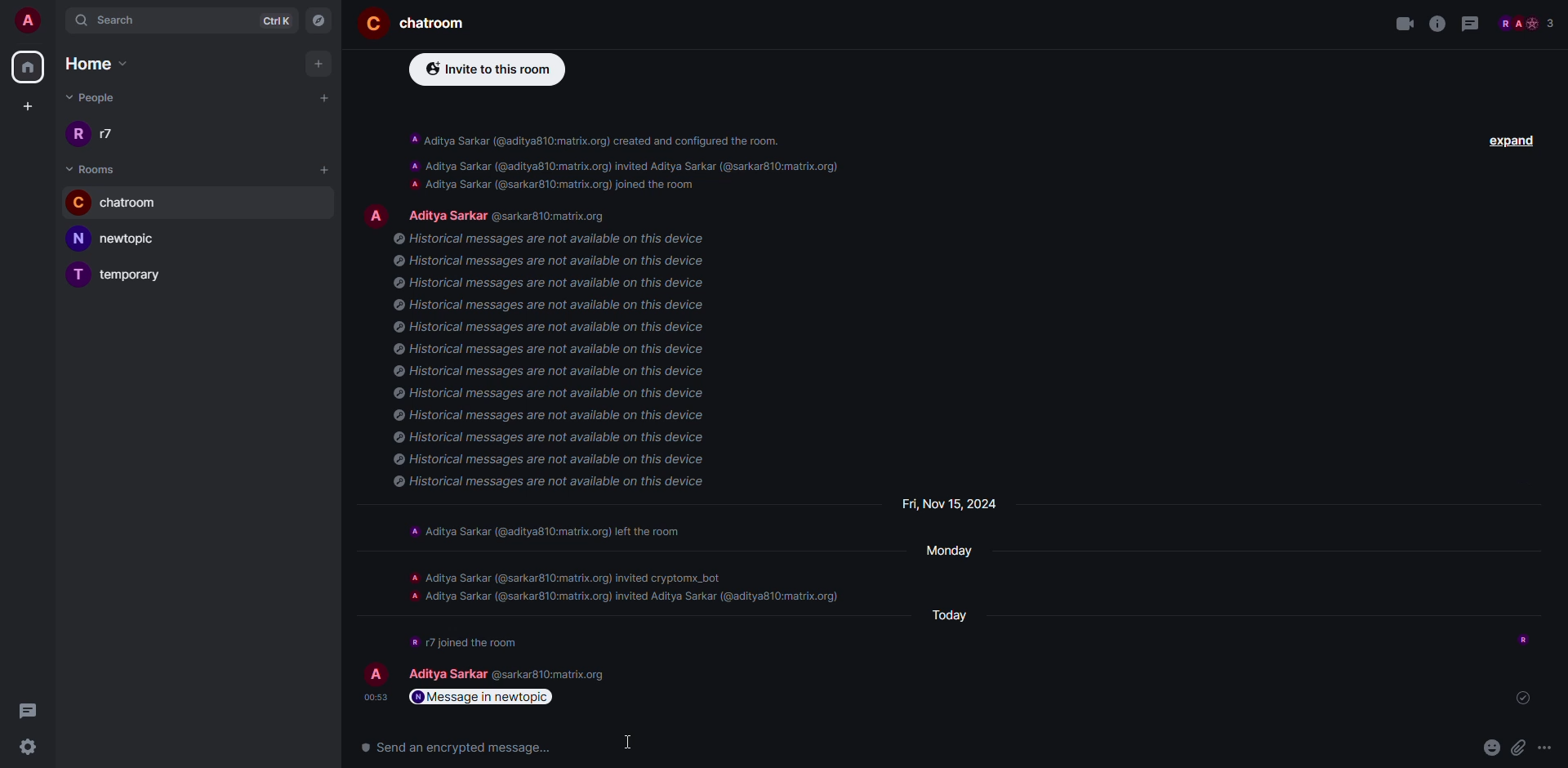  I want to click on more, so click(1547, 748).